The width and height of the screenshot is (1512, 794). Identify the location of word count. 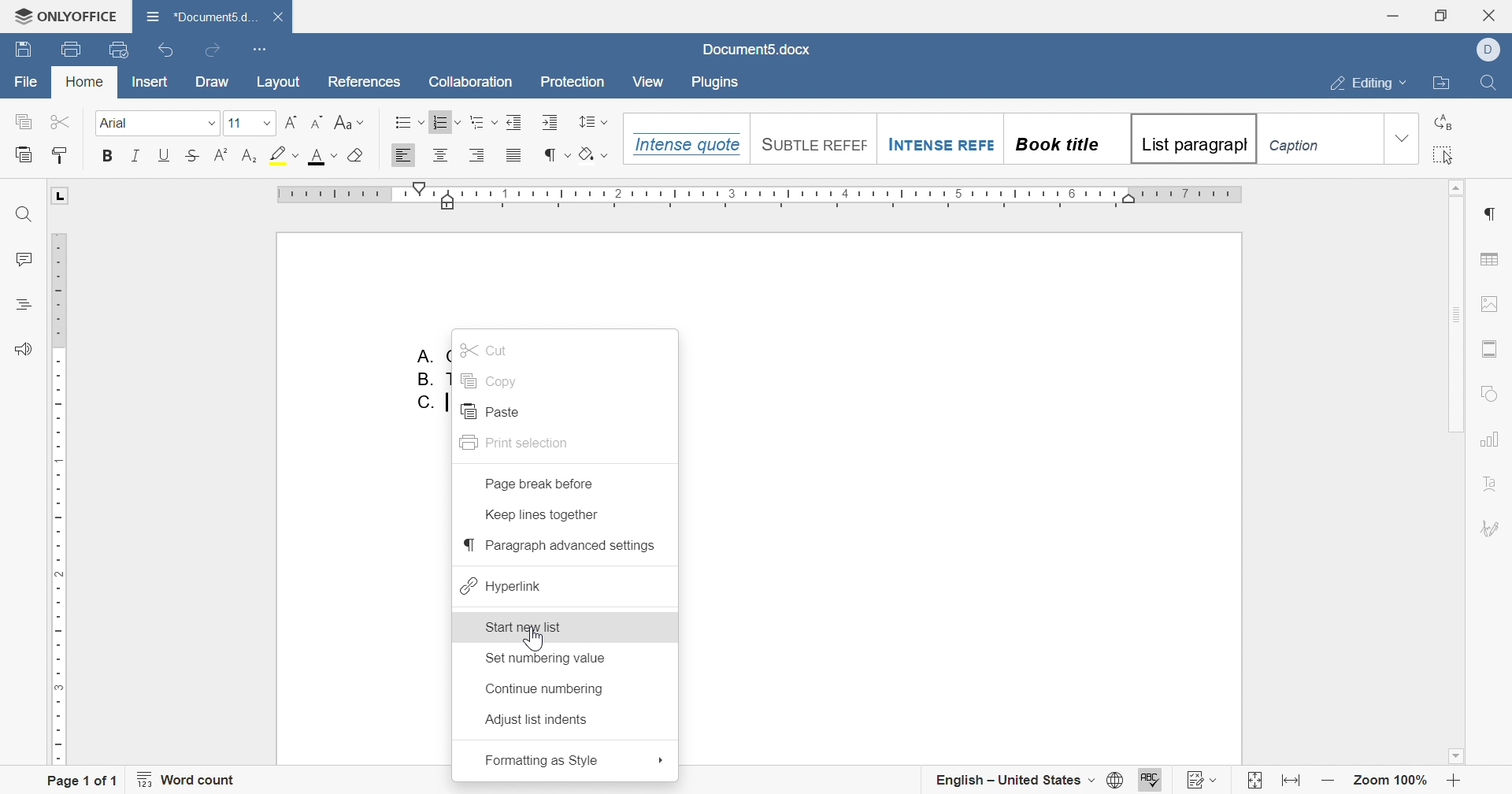
(187, 779).